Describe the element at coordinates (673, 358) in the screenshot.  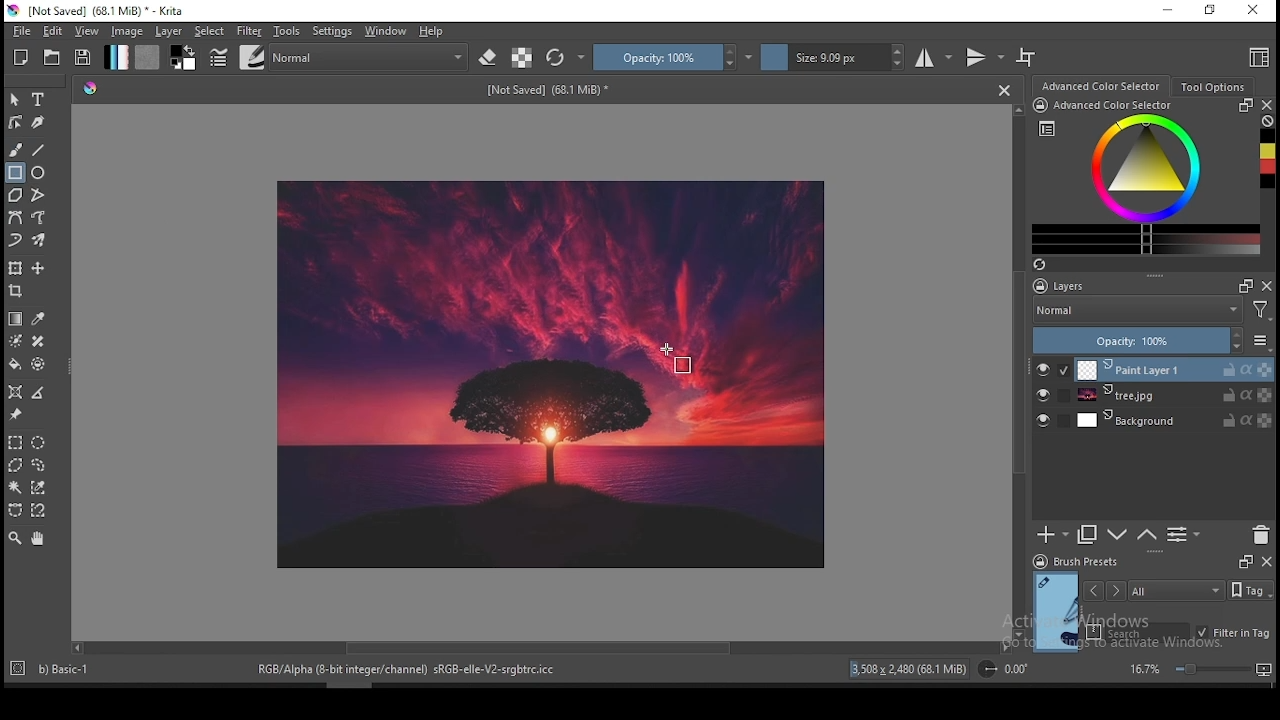
I see `mouse pointer` at that location.